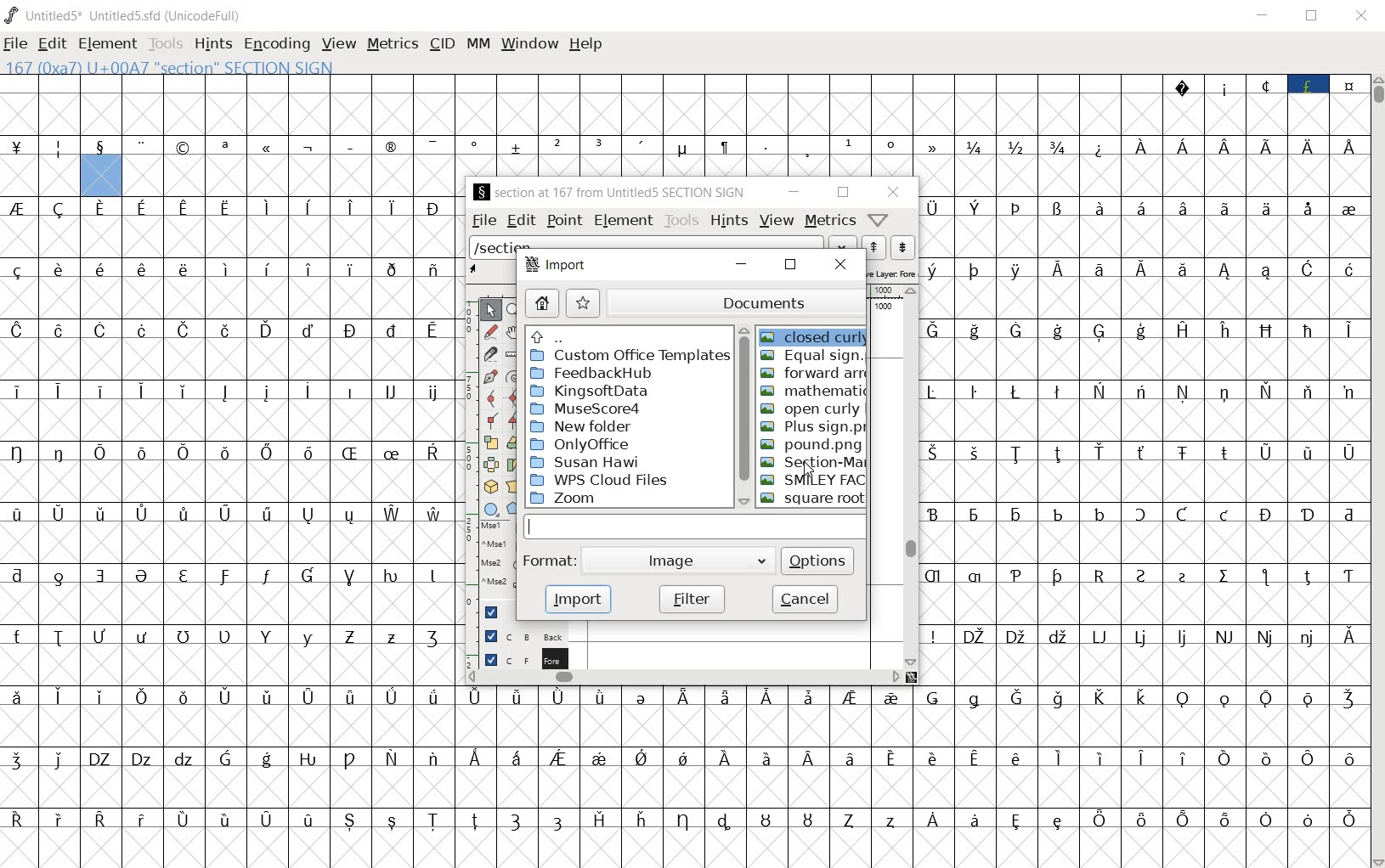 The width and height of the screenshot is (1385, 868). What do you see at coordinates (1100, 147) in the screenshot?
I see `special symbol` at bounding box center [1100, 147].